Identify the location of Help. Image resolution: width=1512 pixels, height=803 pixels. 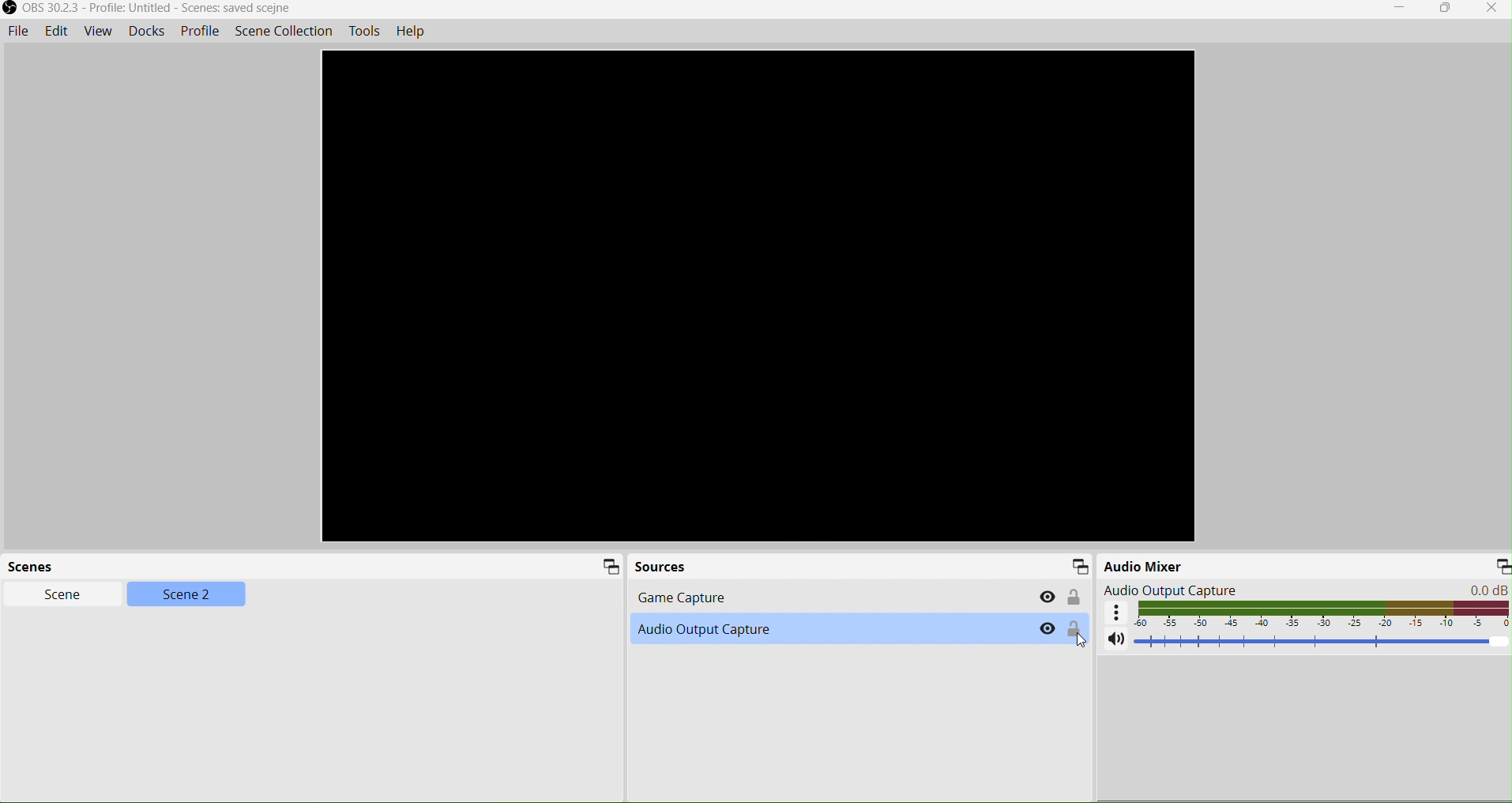
(419, 32).